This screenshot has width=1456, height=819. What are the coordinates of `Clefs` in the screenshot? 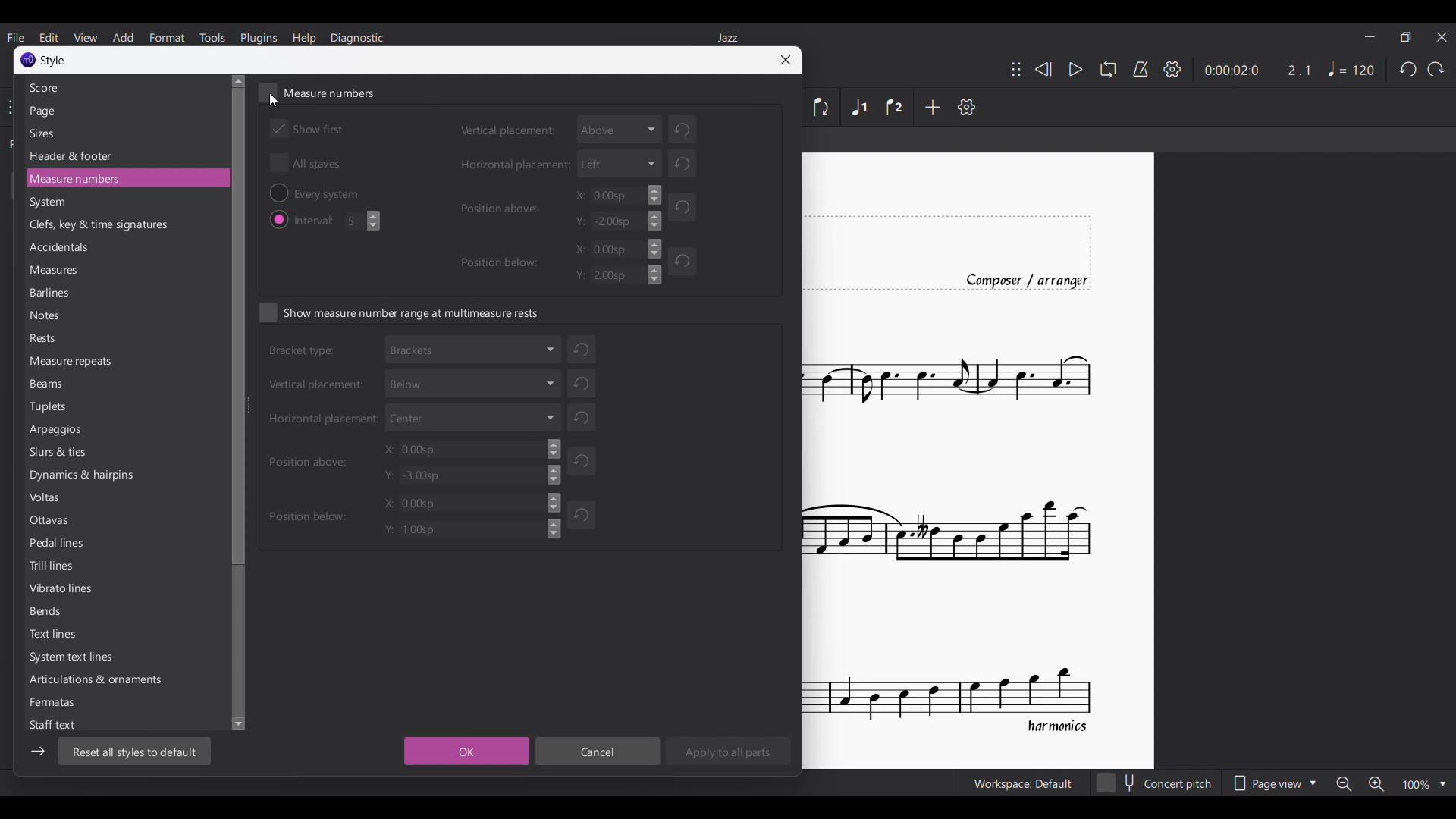 It's located at (99, 226).